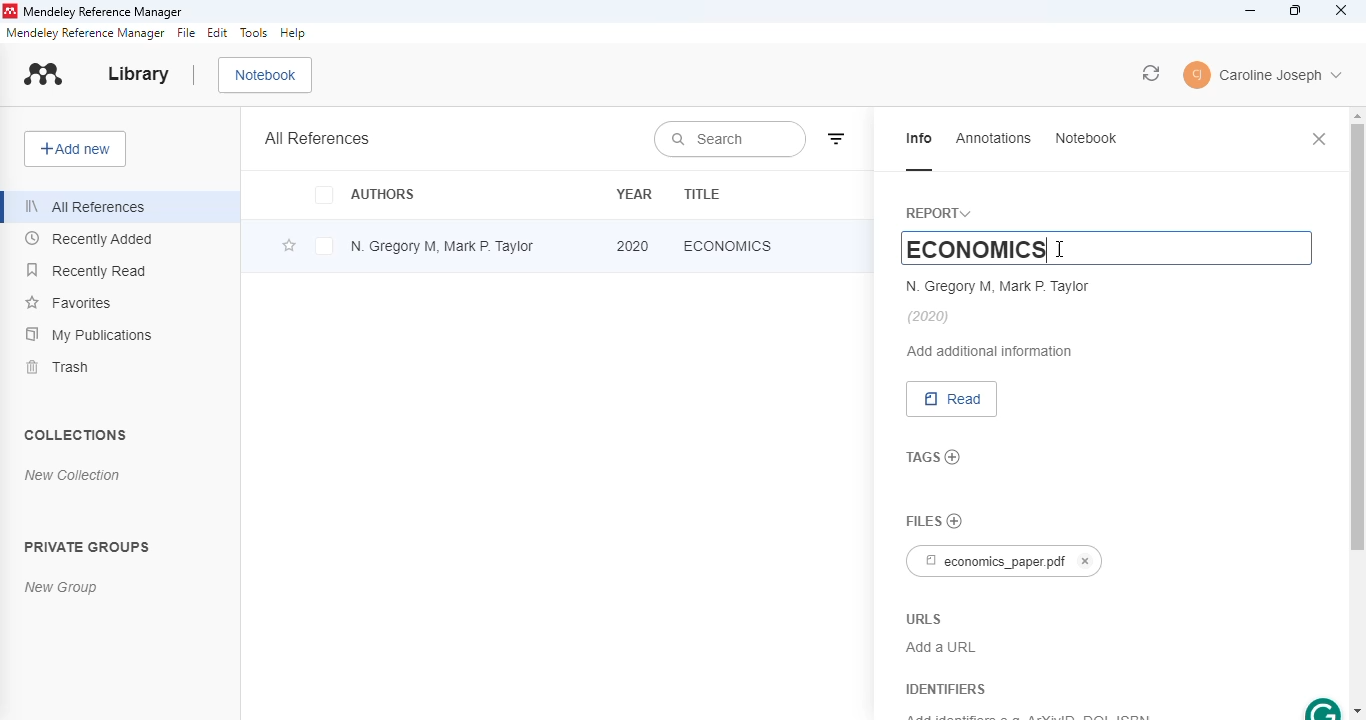 Image resolution: width=1366 pixels, height=720 pixels. What do you see at coordinates (633, 246) in the screenshot?
I see `2020` at bounding box center [633, 246].